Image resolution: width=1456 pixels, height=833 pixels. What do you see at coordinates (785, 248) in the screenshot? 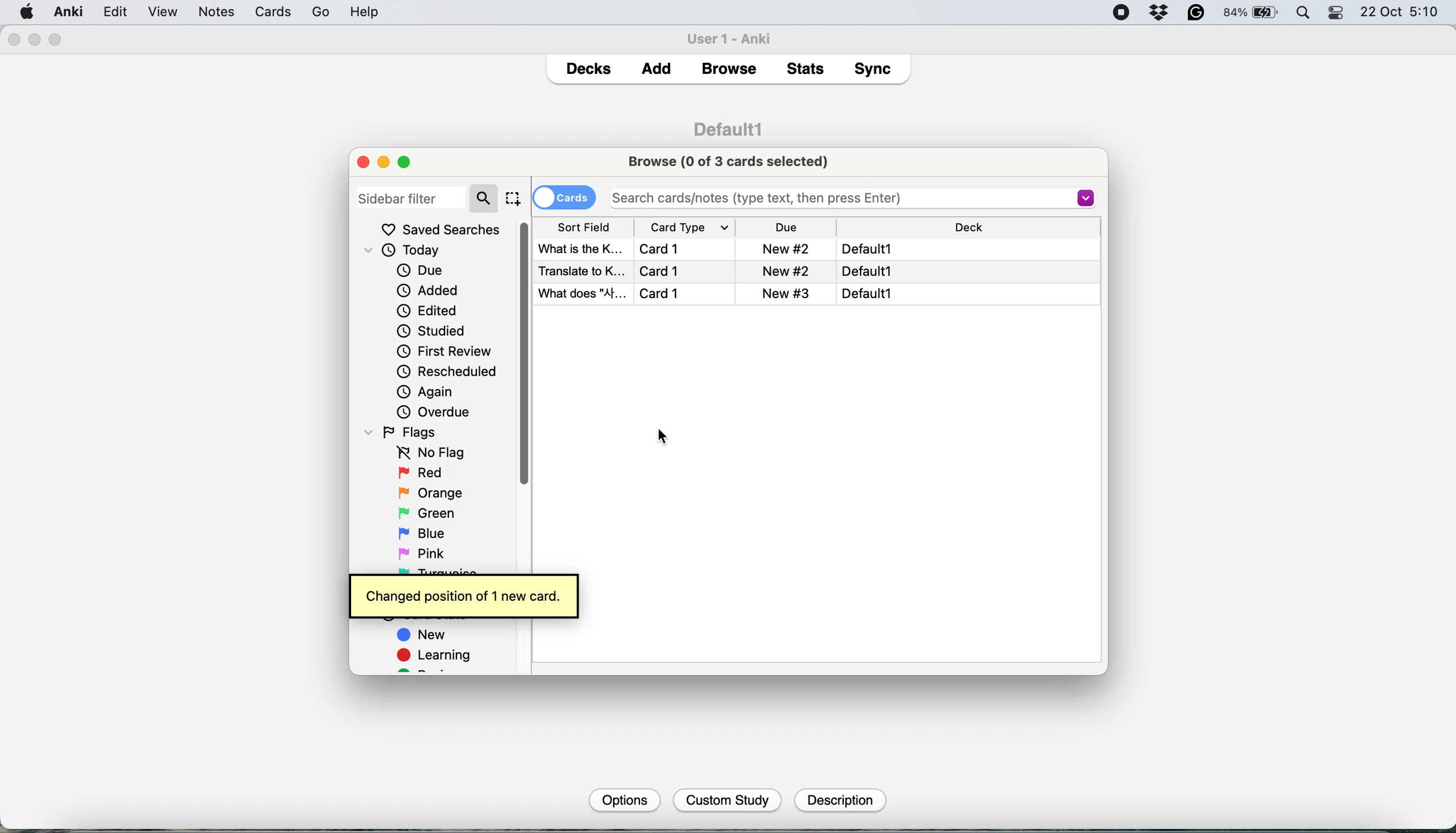
I see `New #2` at bounding box center [785, 248].